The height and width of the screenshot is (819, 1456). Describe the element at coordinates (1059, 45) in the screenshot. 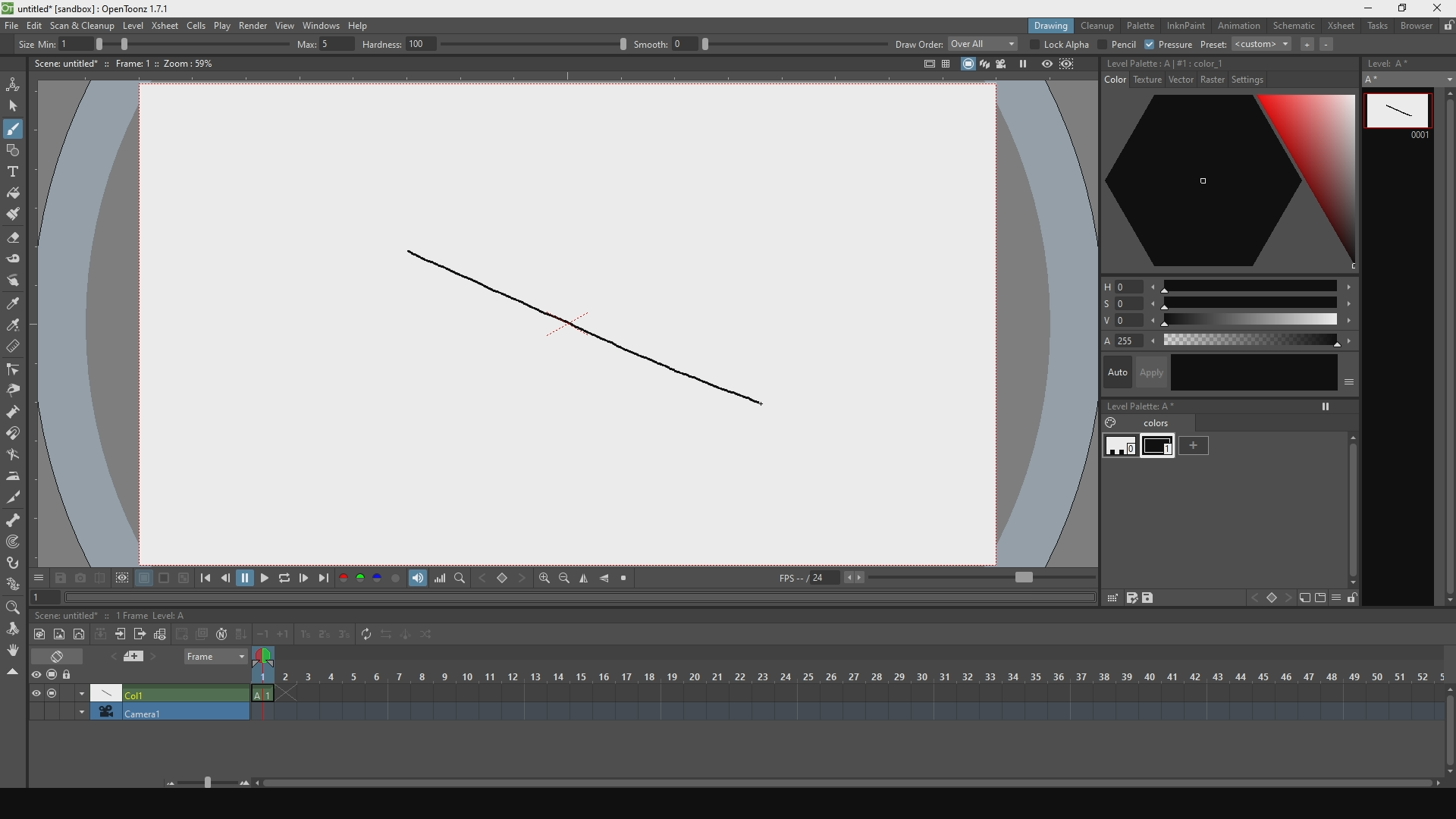

I see `lock alpha` at that location.